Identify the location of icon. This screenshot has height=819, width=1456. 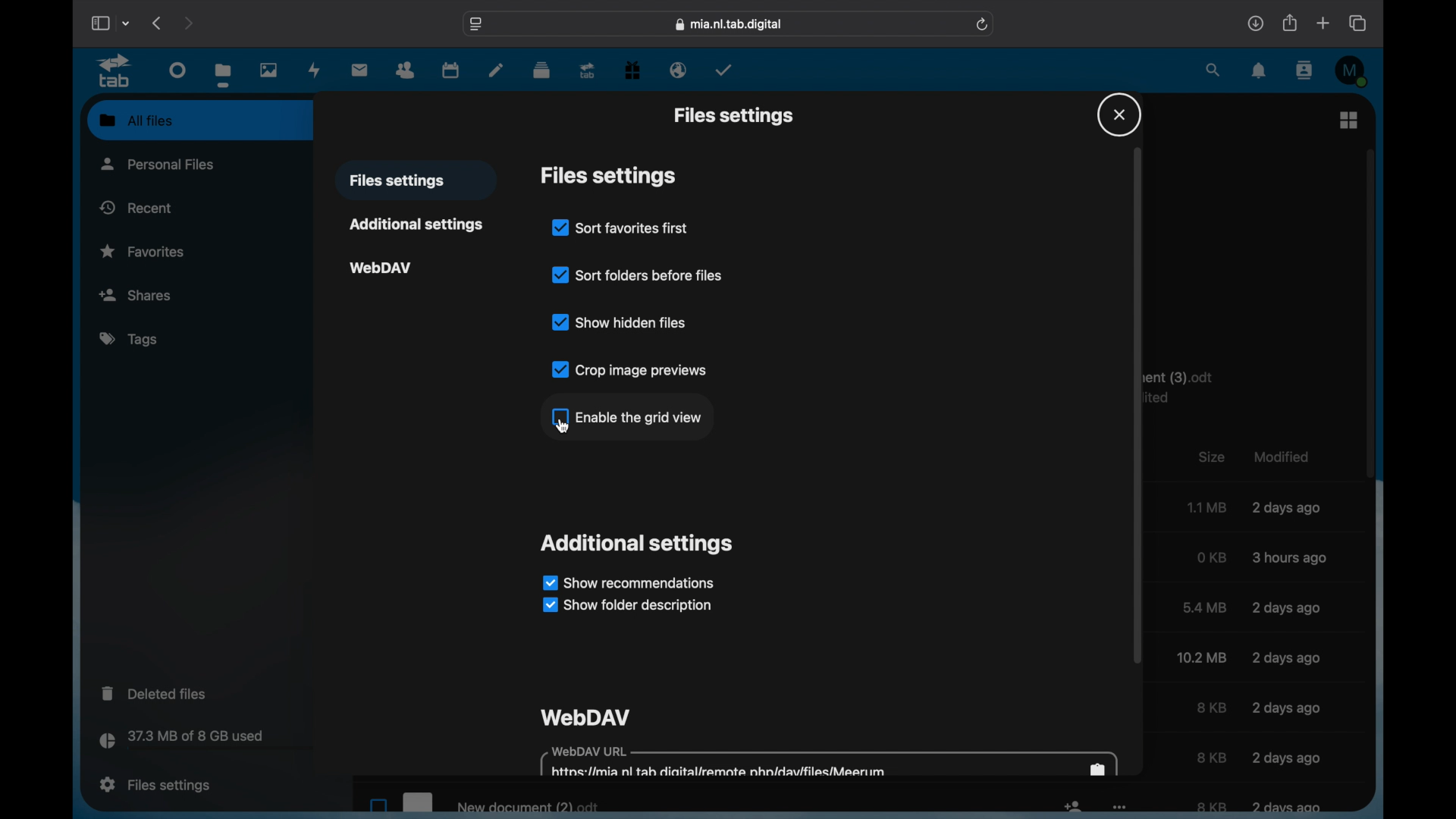
(1072, 809).